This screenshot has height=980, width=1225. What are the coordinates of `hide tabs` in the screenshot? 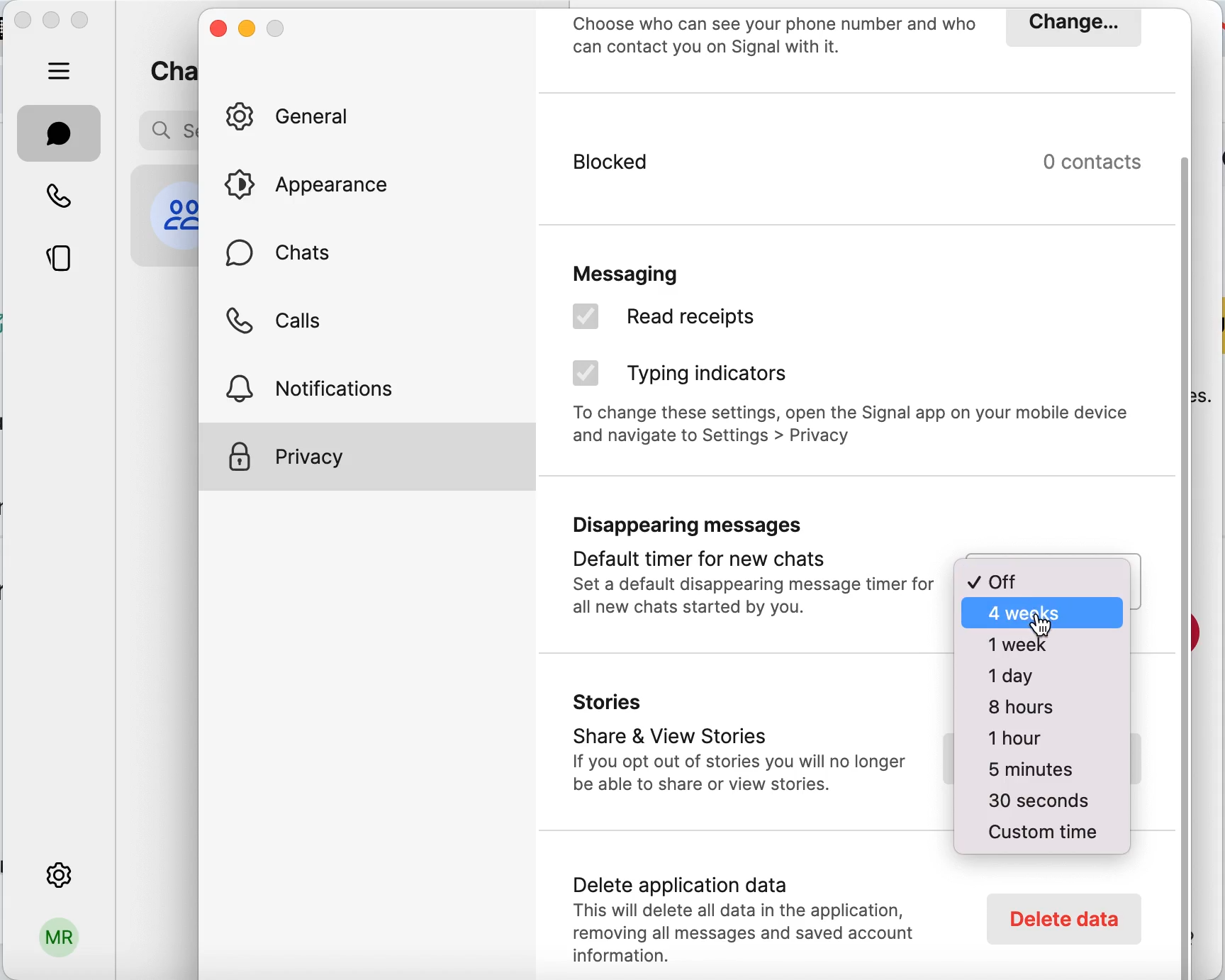 It's located at (60, 70).